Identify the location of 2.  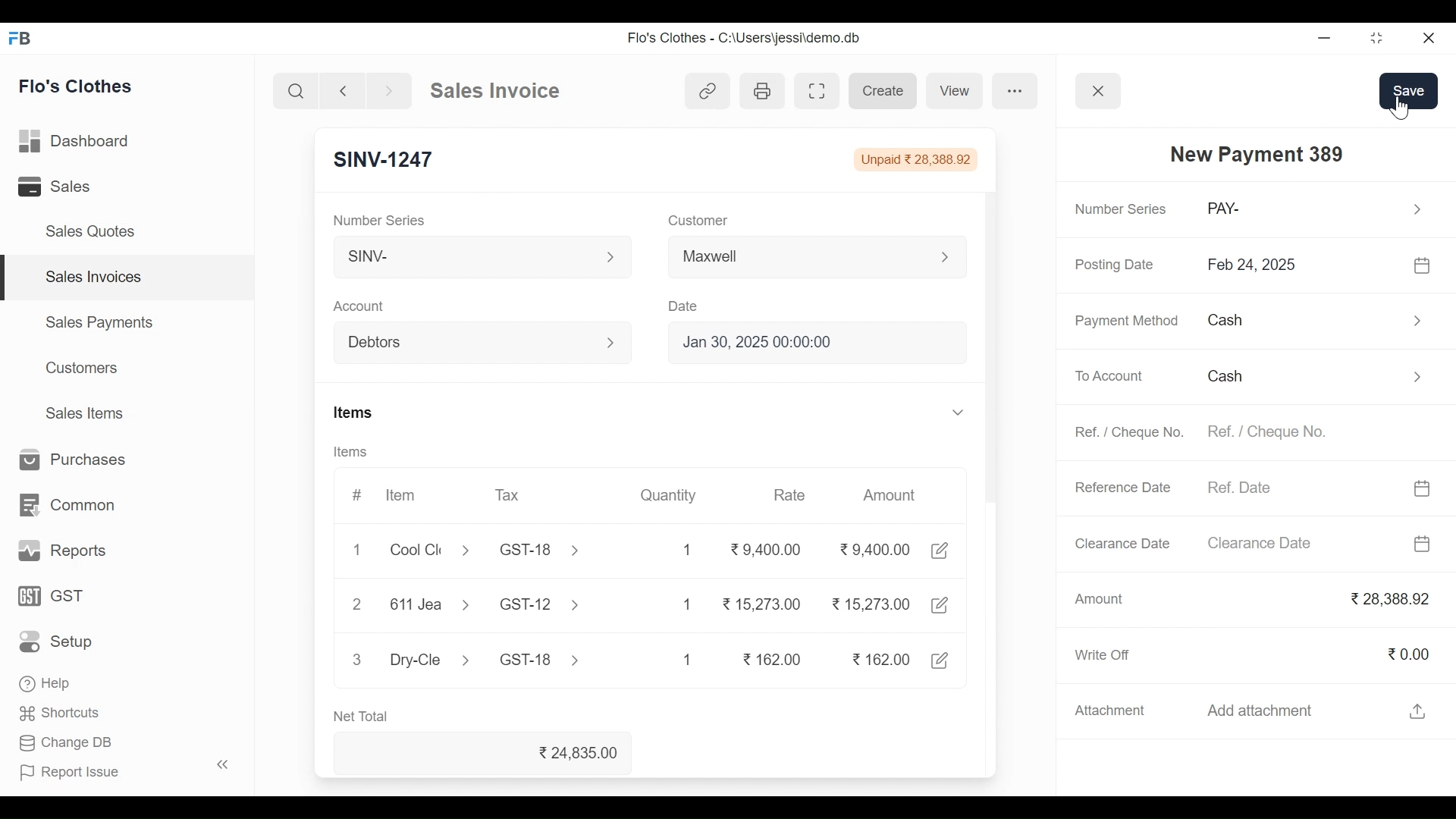
(359, 604).